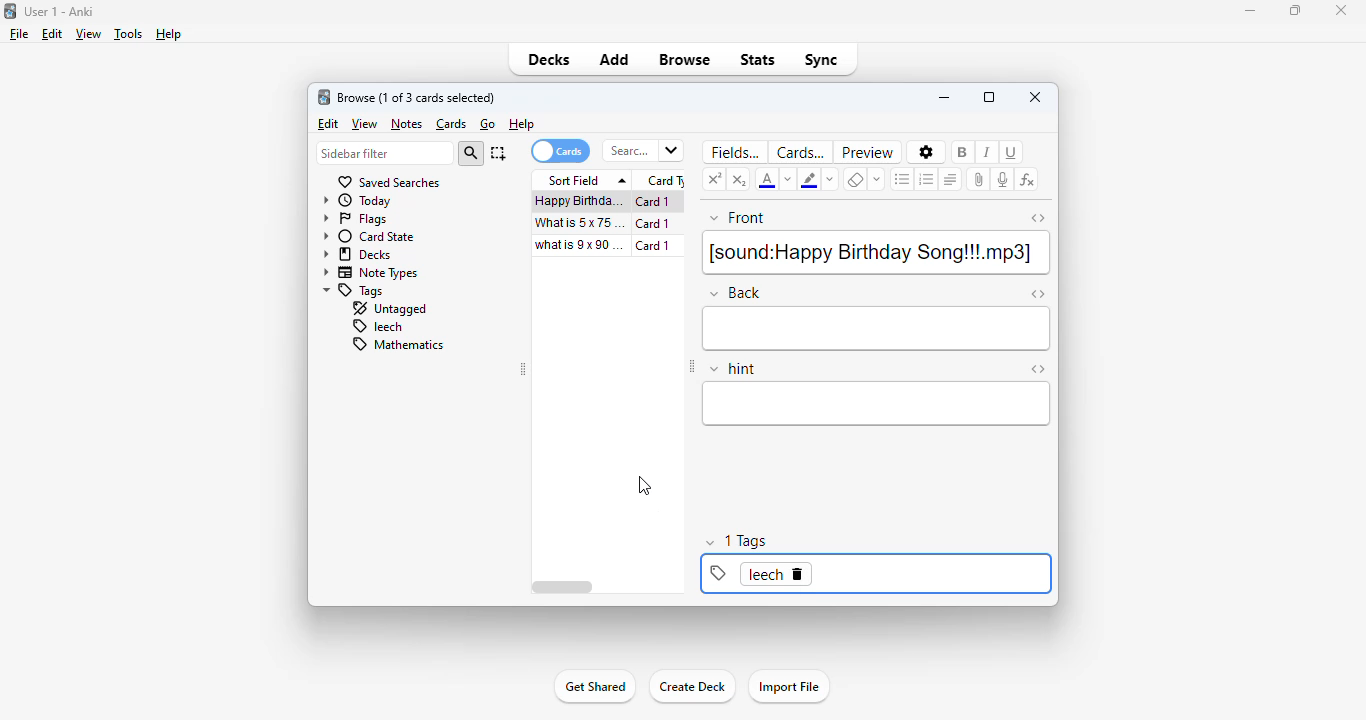 This screenshot has width=1366, height=720. Describe the element at coordinates (926, 179) in the screenshot. I see `ordered list` at that location.